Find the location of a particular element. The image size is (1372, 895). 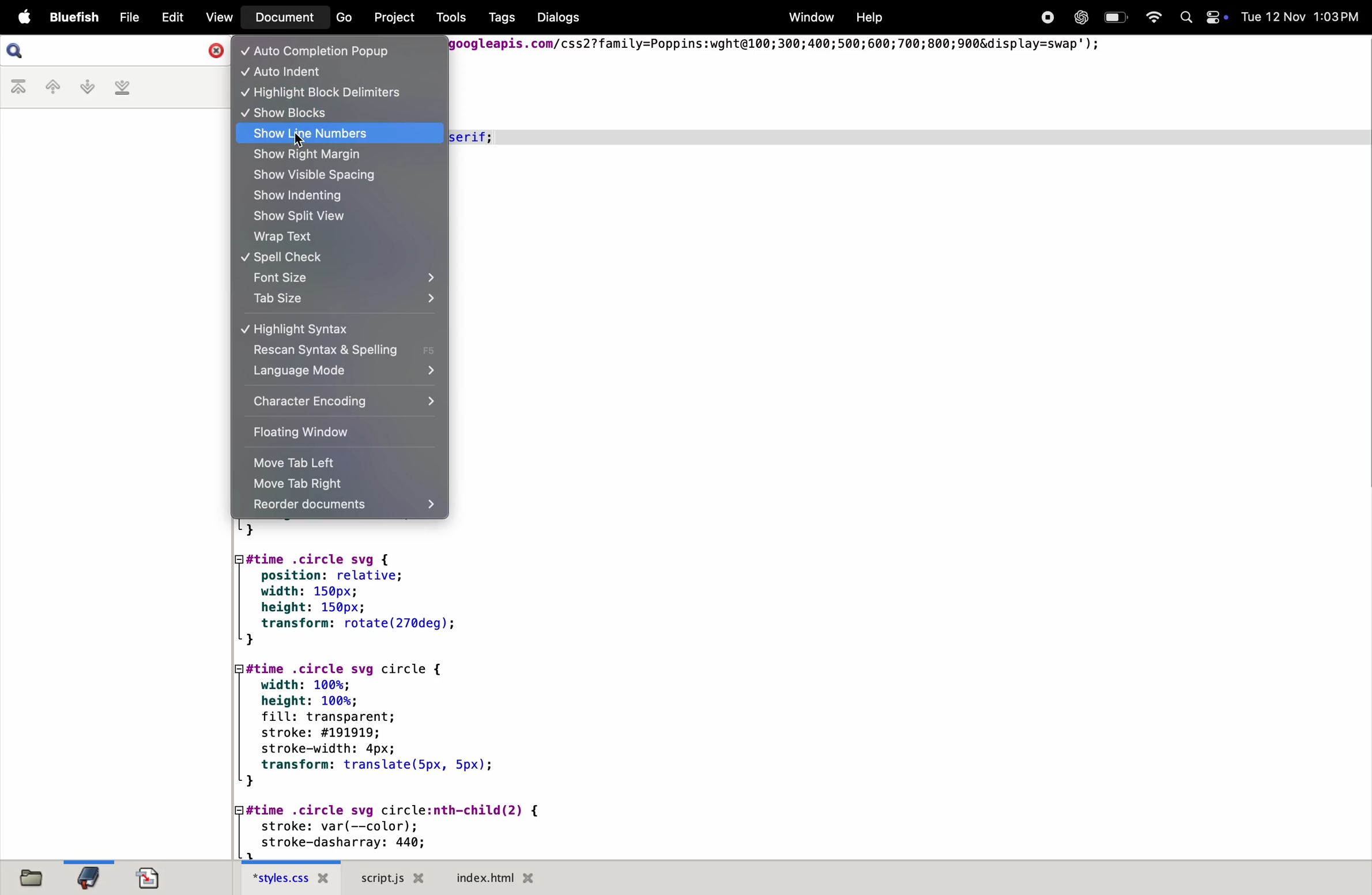

highlight block delimiters is located at coordinates (340, 93).